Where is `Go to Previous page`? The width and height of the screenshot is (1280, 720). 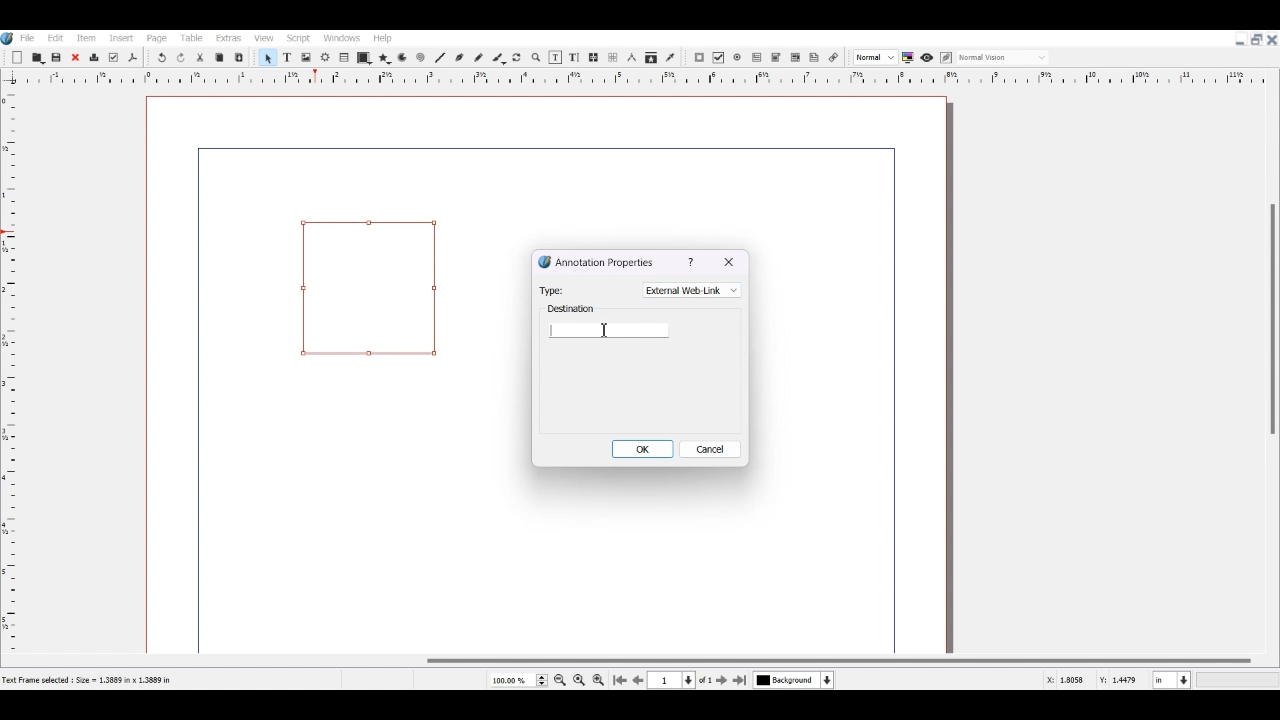
Go to Previous page is located at coordinates (638, 680).